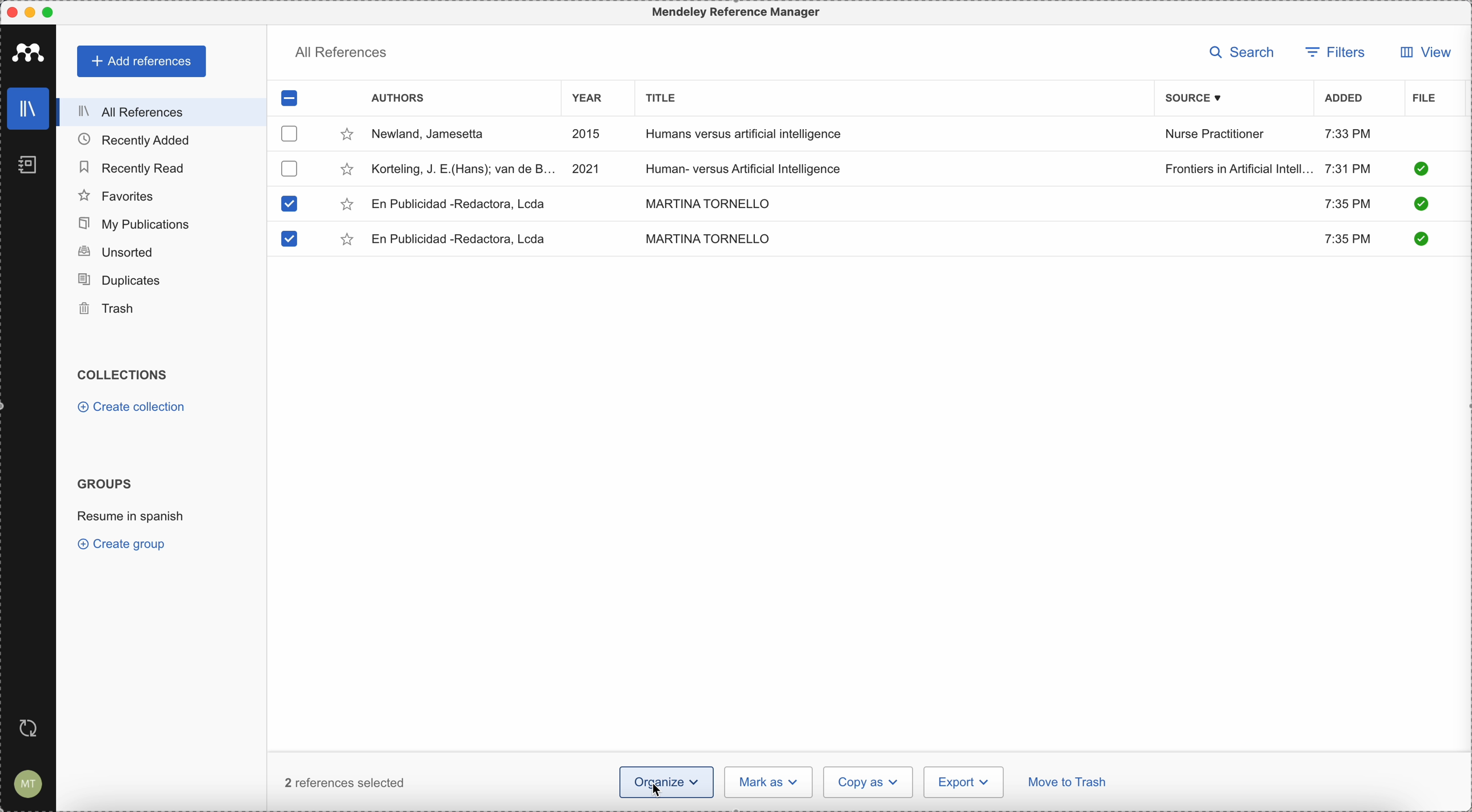 This screenshot has height=812, width=1472. Describe the element at coordinates (658, 97) in the screenshot. I see `title` at that location.